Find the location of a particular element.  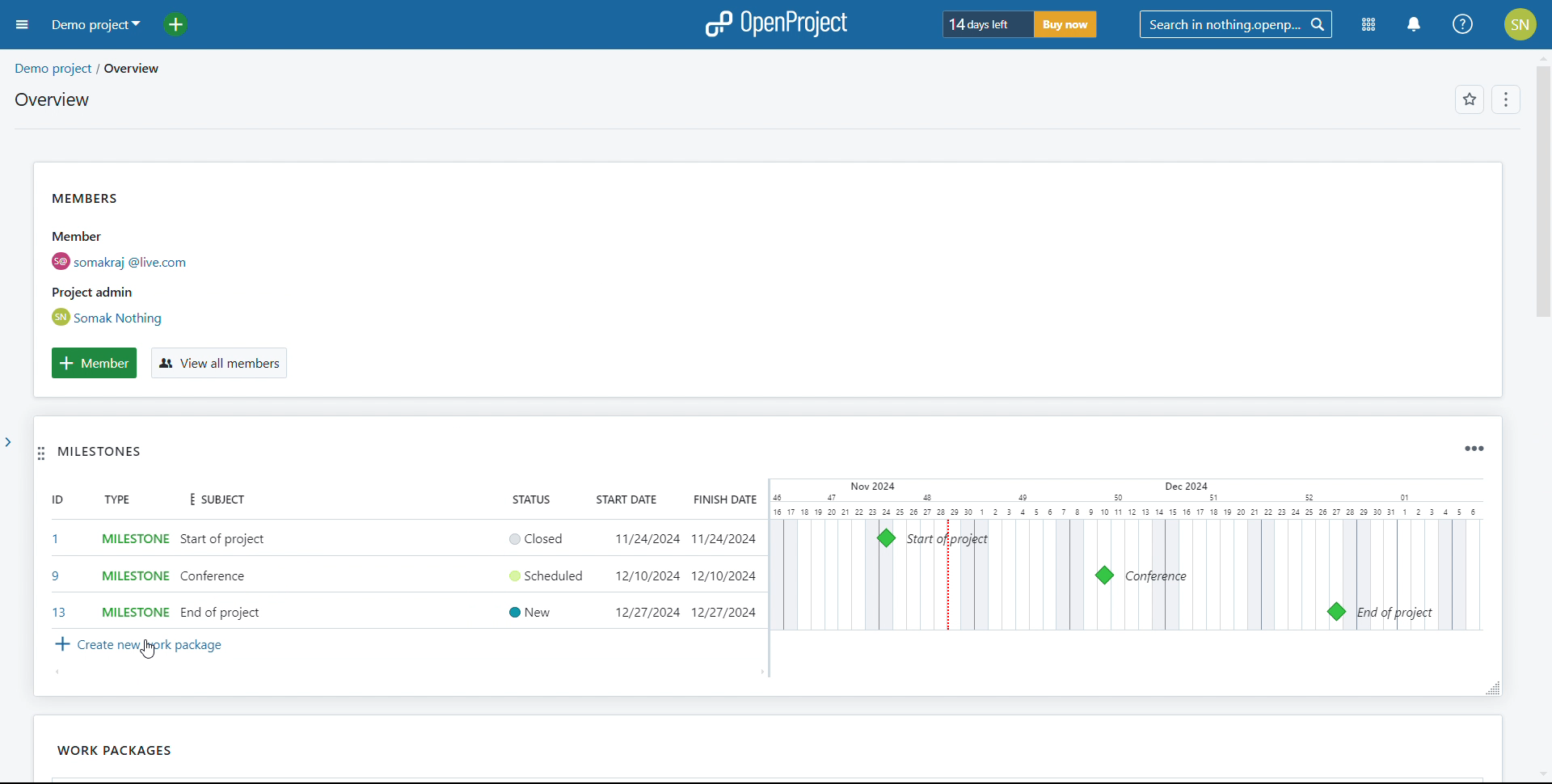

logo is located at coordinates (776, 24).